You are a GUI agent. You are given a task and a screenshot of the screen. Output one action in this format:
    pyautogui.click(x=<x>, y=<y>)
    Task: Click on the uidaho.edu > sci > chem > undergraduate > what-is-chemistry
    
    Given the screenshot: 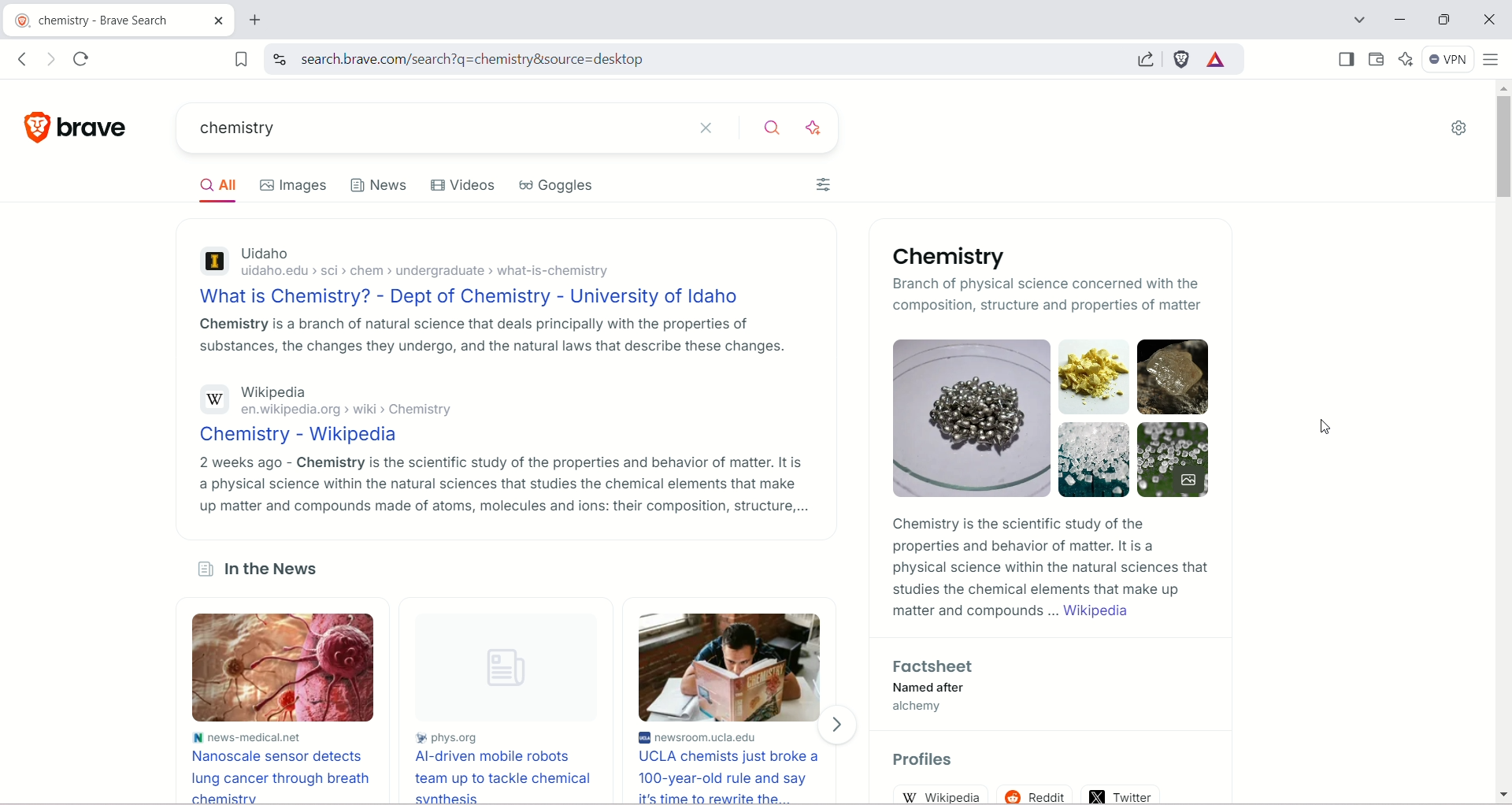 What is the action you would take?
    pyautogui.click(x=425, y=271)
    